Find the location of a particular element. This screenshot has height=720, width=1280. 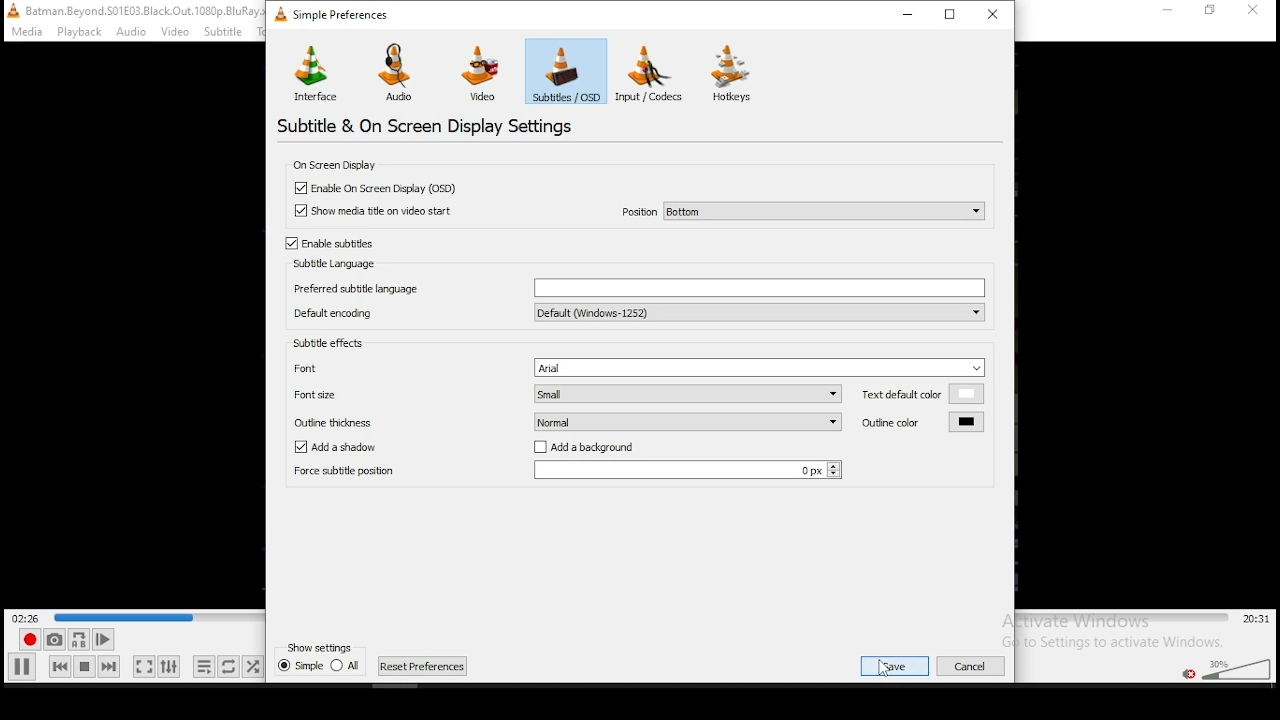

next track in playlist. Skips forward when held is located at coordinates (108, 666).